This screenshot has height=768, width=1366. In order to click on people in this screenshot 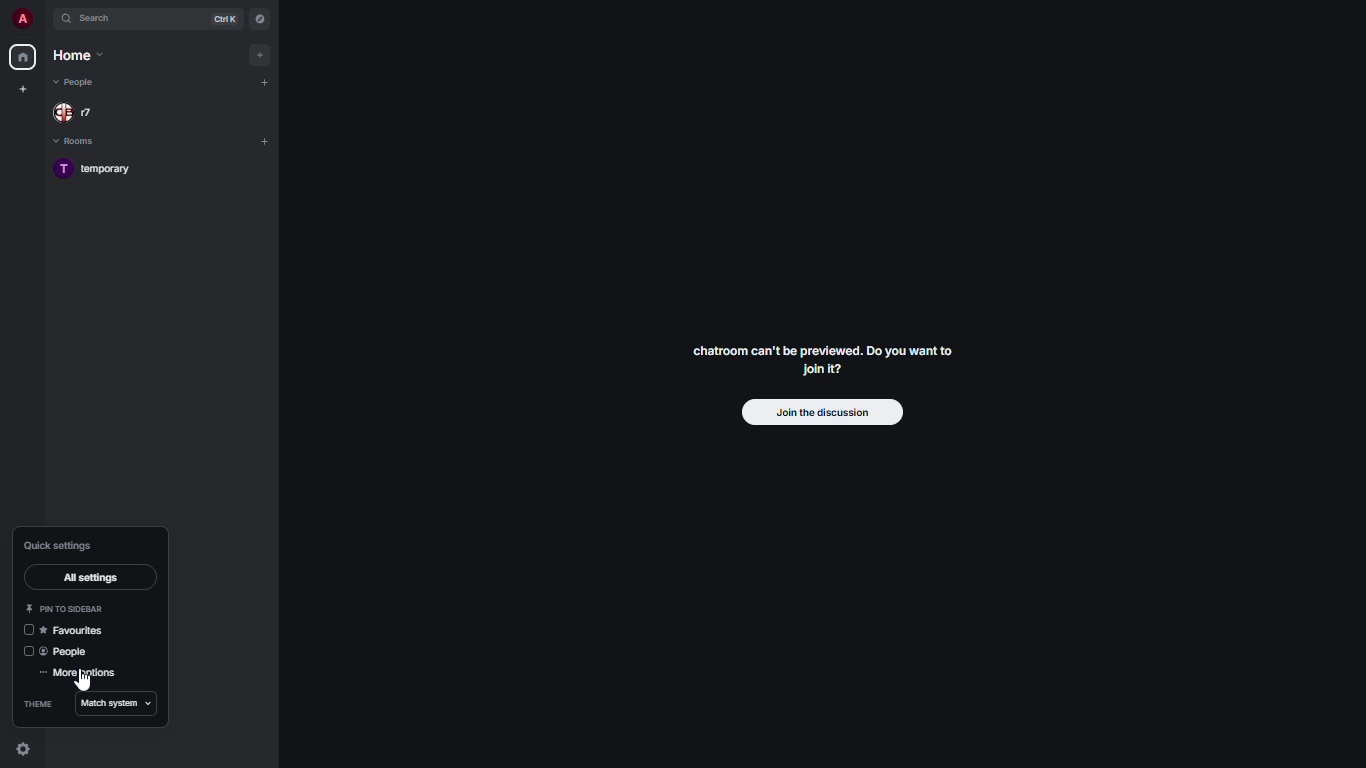, I will do `click(77, 651)`.